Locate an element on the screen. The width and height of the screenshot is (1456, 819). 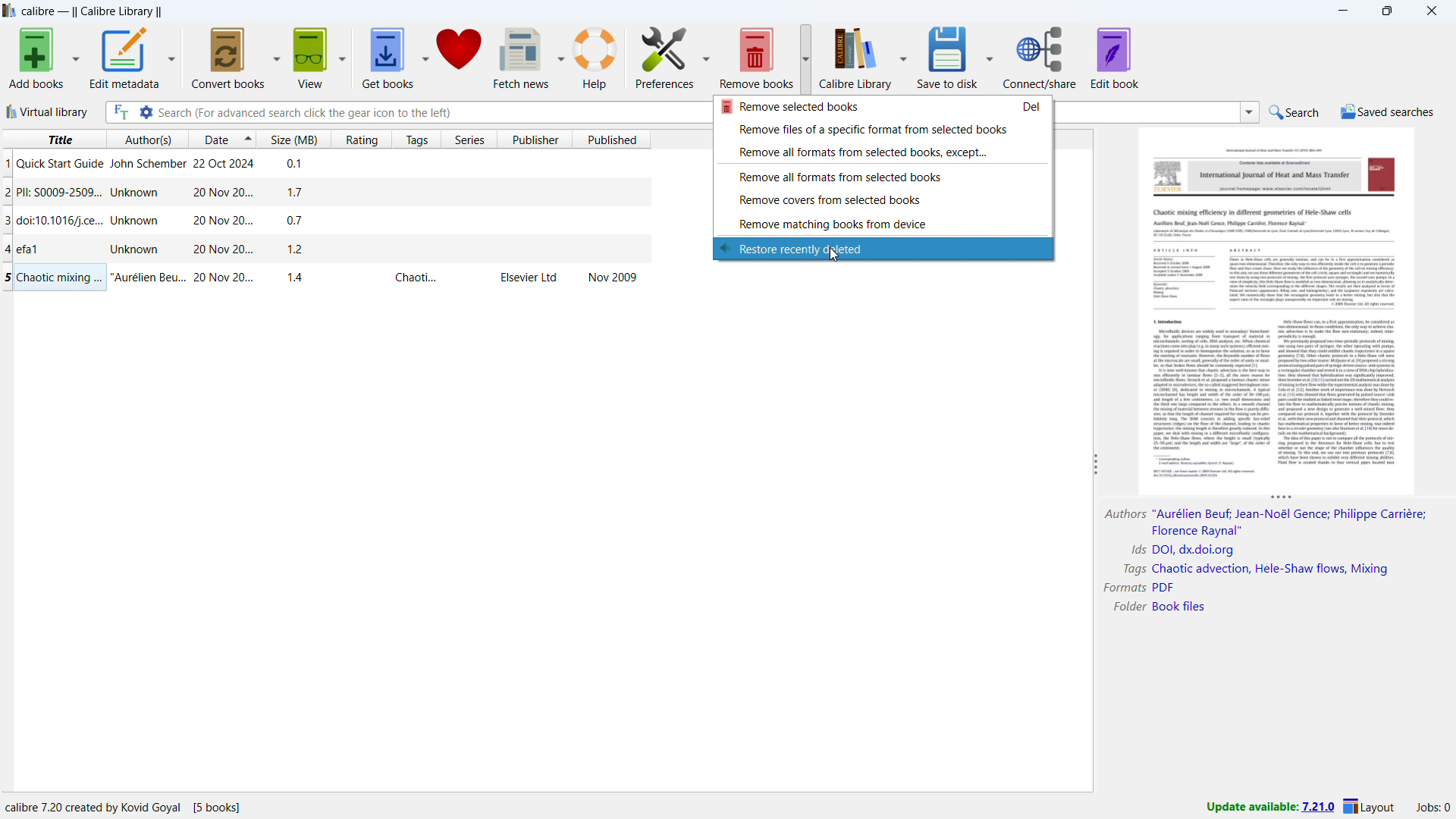
saved searches menu is located at coordinates (1387, 111).